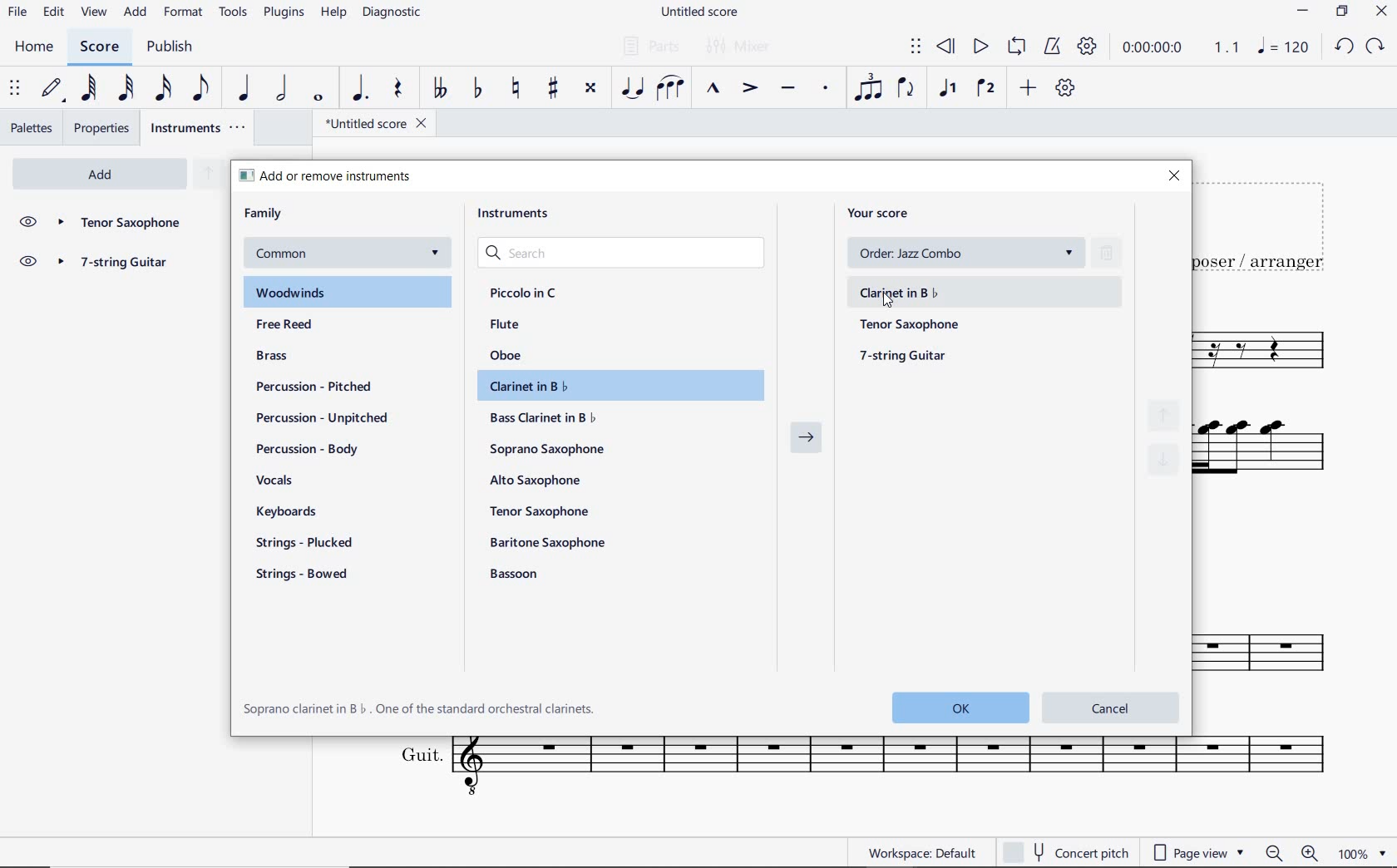 Image resolution: width=1397 pixels, height=868 pixels. I want to click on ADD, so click(1029, 89).